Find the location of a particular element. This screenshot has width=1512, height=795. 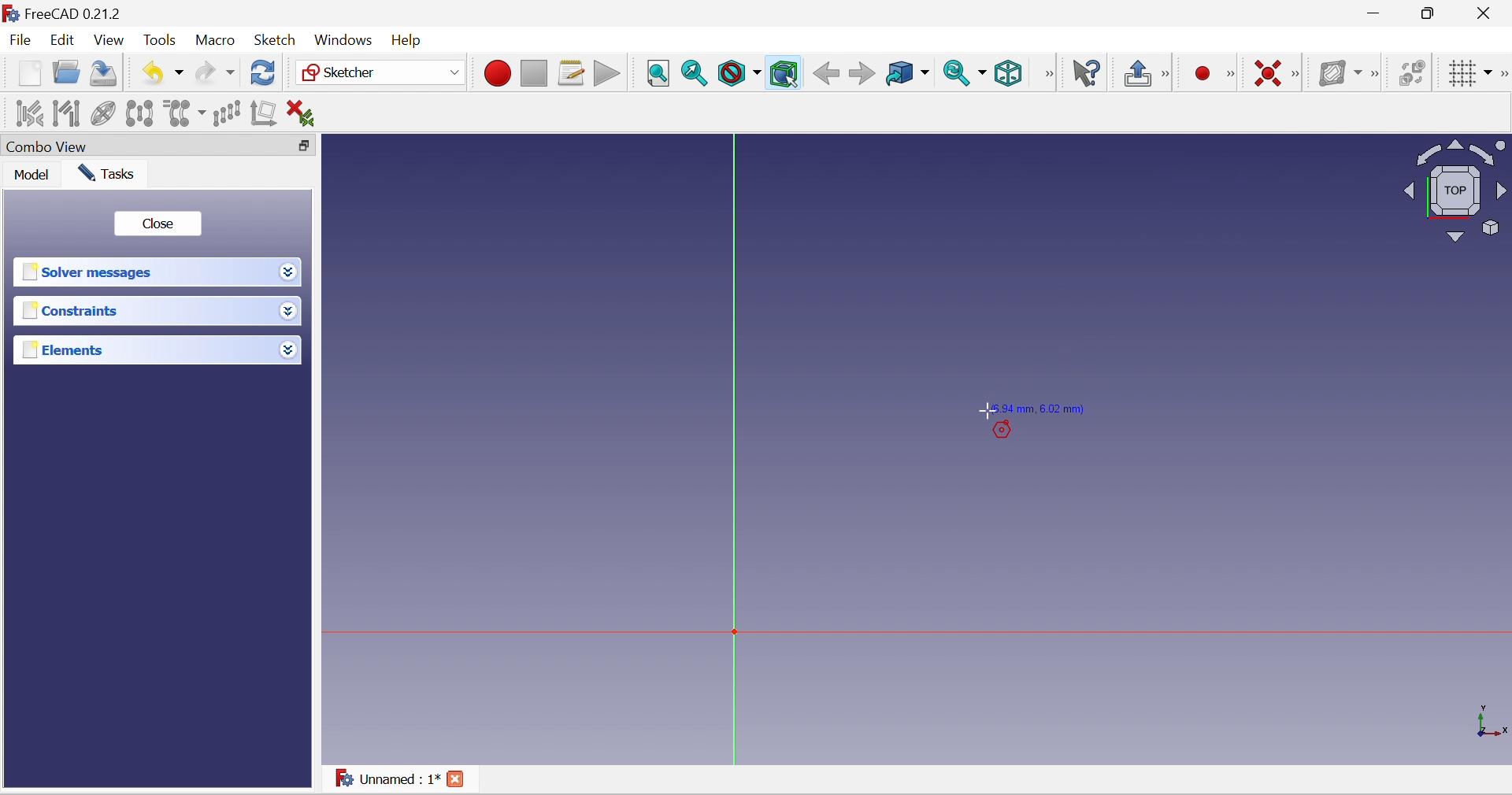

maximize is located at coordinates (1430, 13).